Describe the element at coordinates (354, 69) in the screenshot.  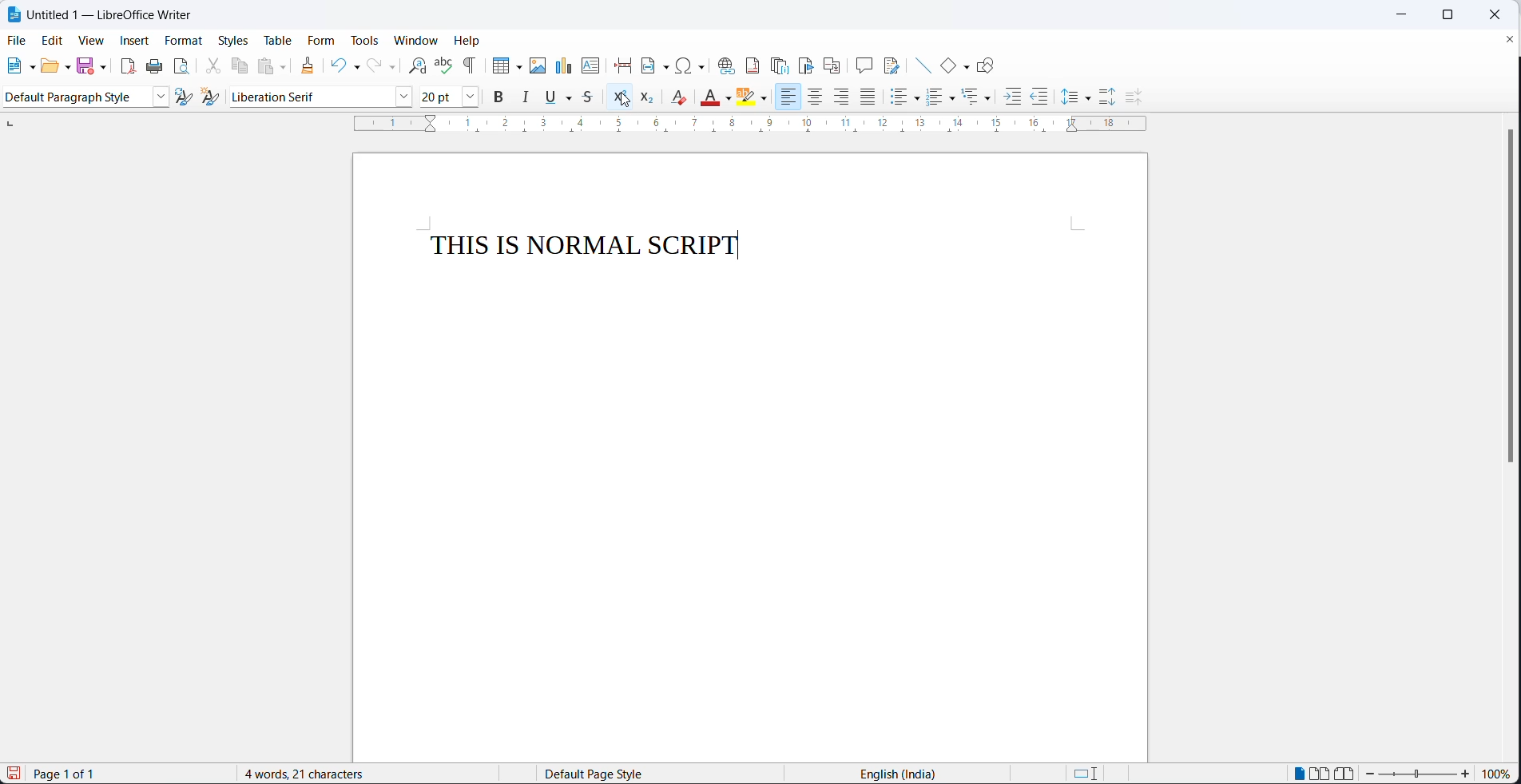
I see `undo options` at that location.